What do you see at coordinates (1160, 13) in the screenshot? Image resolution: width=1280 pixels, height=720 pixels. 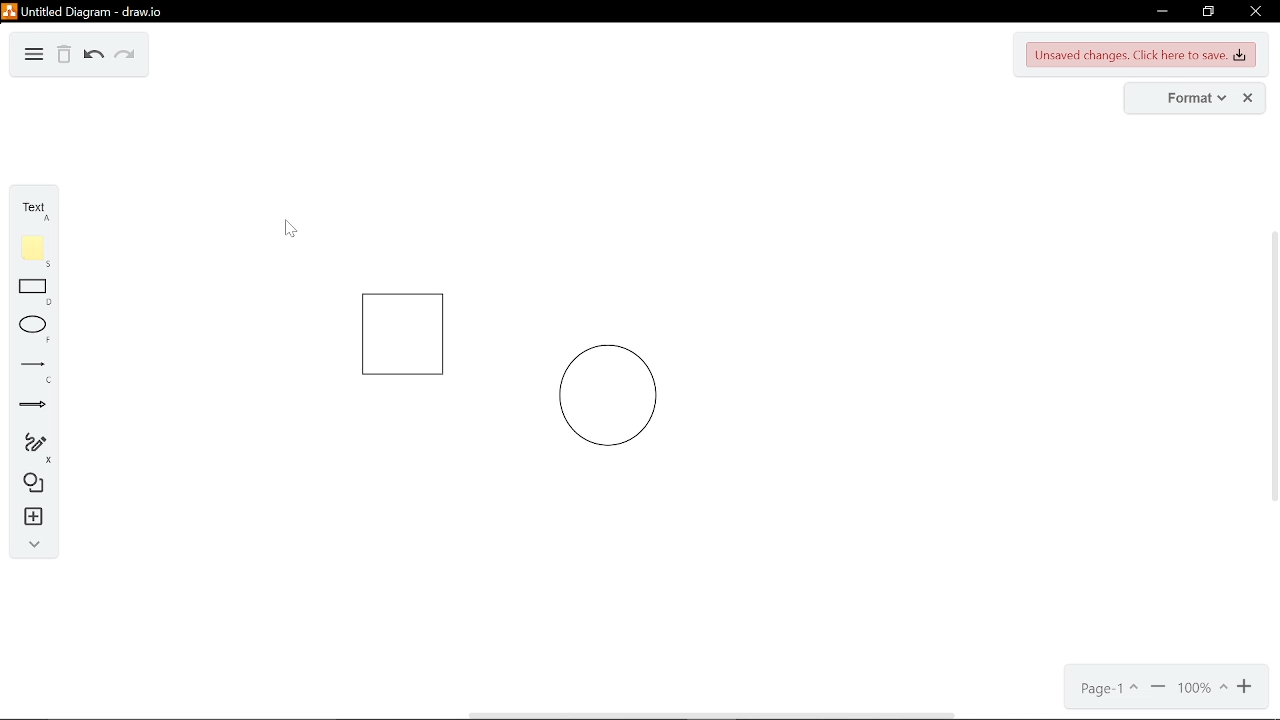 I see `minimize` at bounding box center [1160, 13].